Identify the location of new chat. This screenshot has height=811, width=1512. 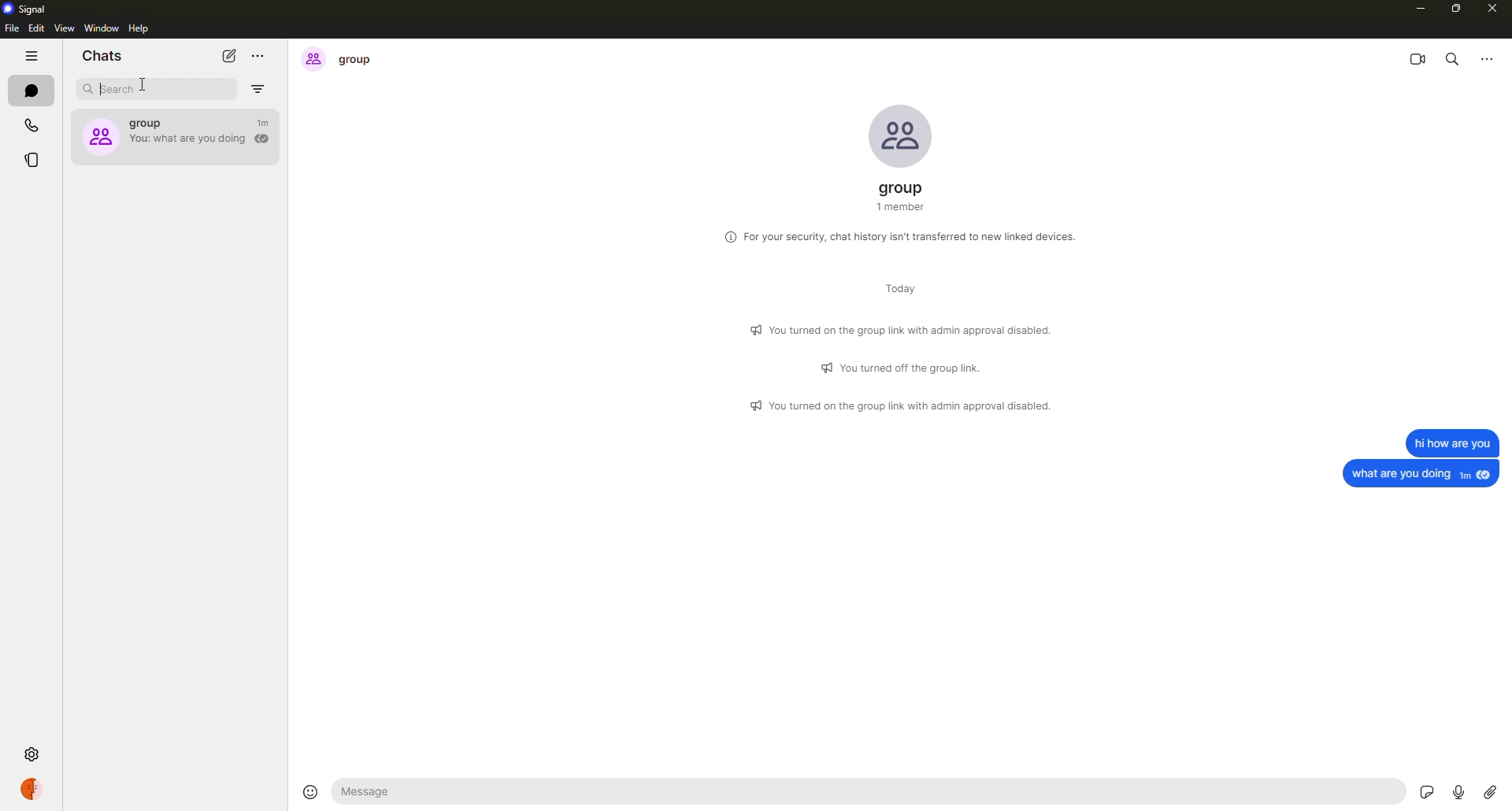
(228, 56).